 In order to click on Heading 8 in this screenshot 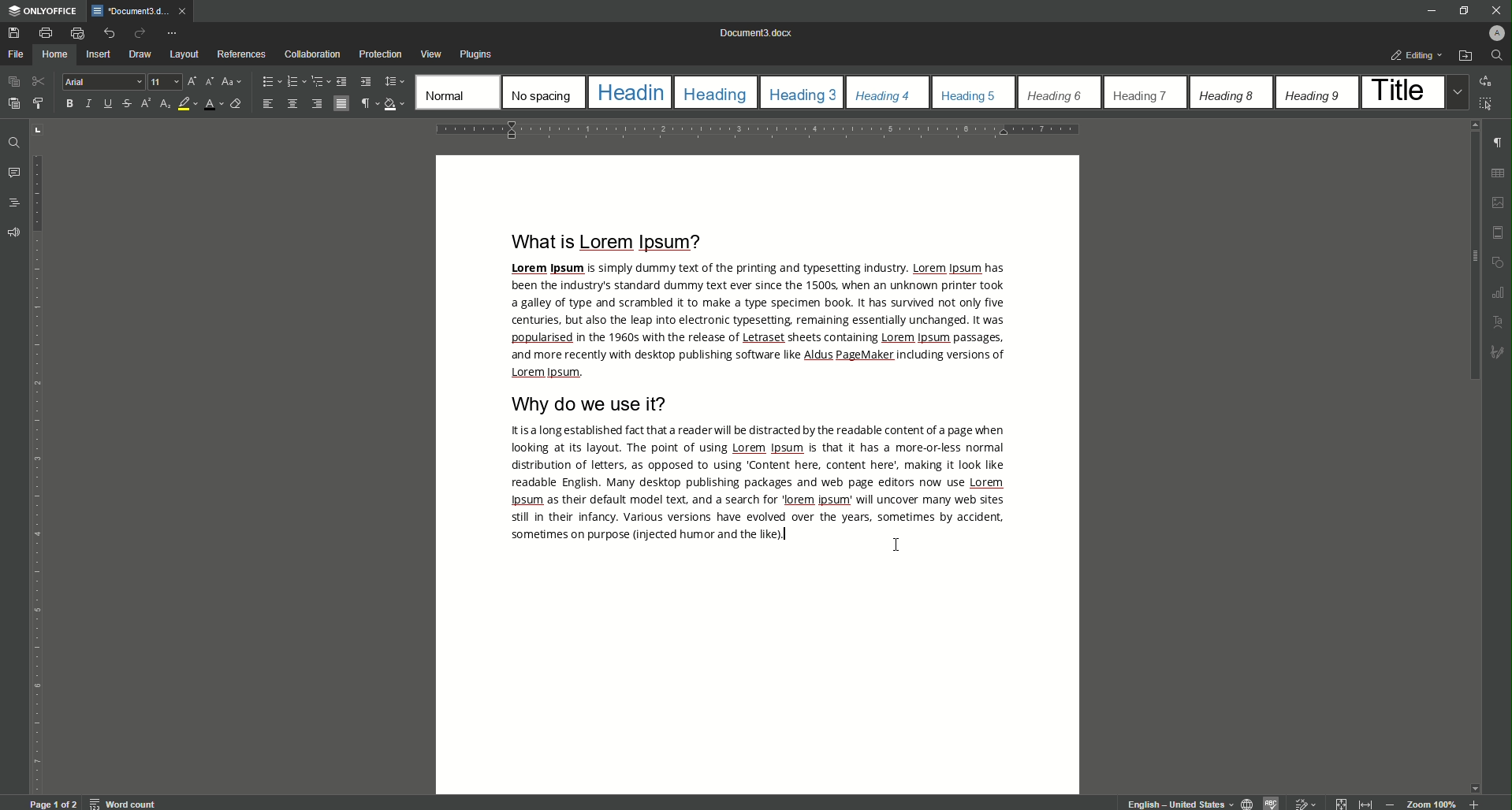, I will do `click(1227, 94)`.